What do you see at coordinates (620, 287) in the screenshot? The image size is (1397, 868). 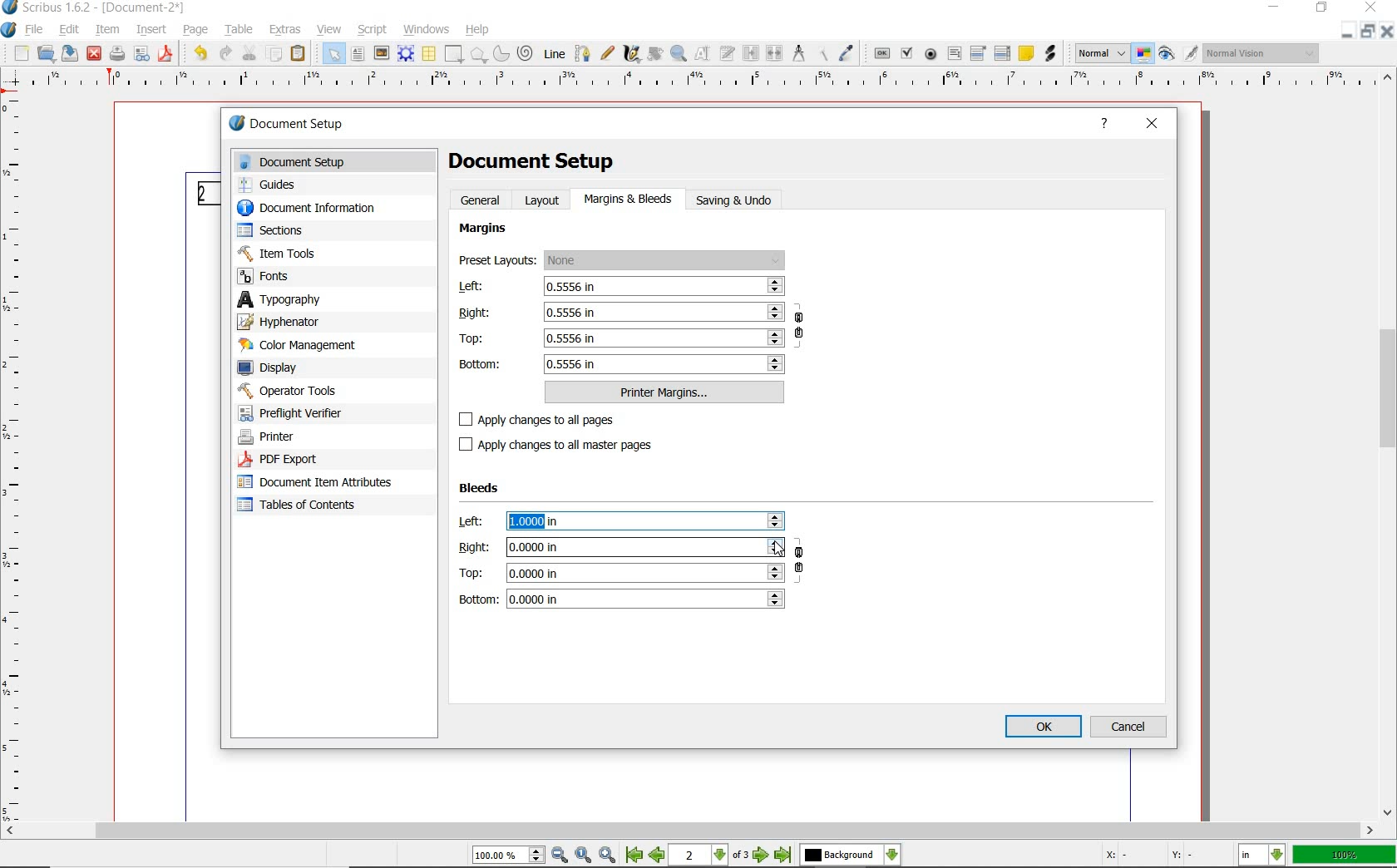 I see `left` at bounding box center [620, 287].